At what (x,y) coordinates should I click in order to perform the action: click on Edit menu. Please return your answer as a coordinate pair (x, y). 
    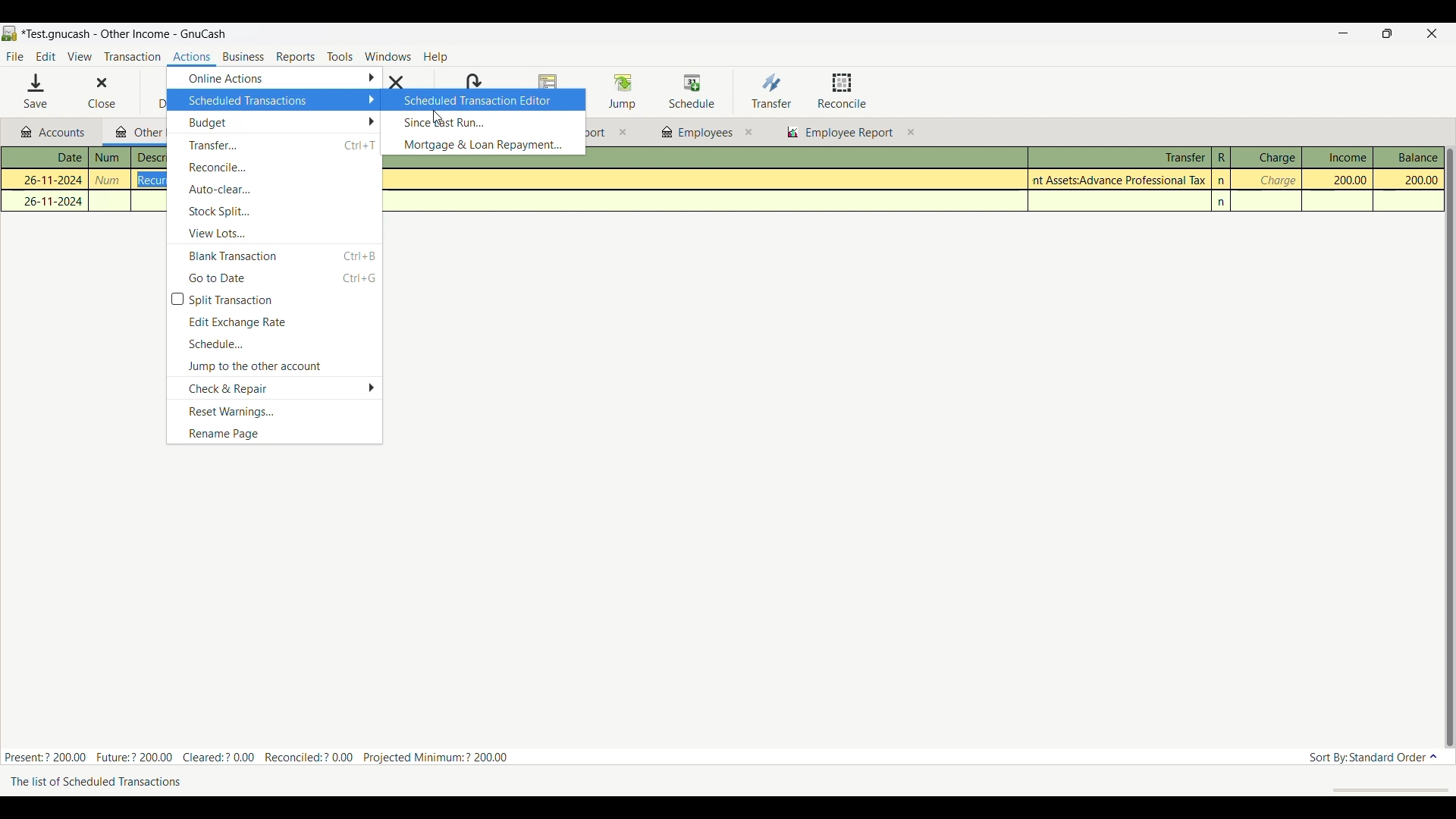
    Looking at the image, I should click on (45, 57).